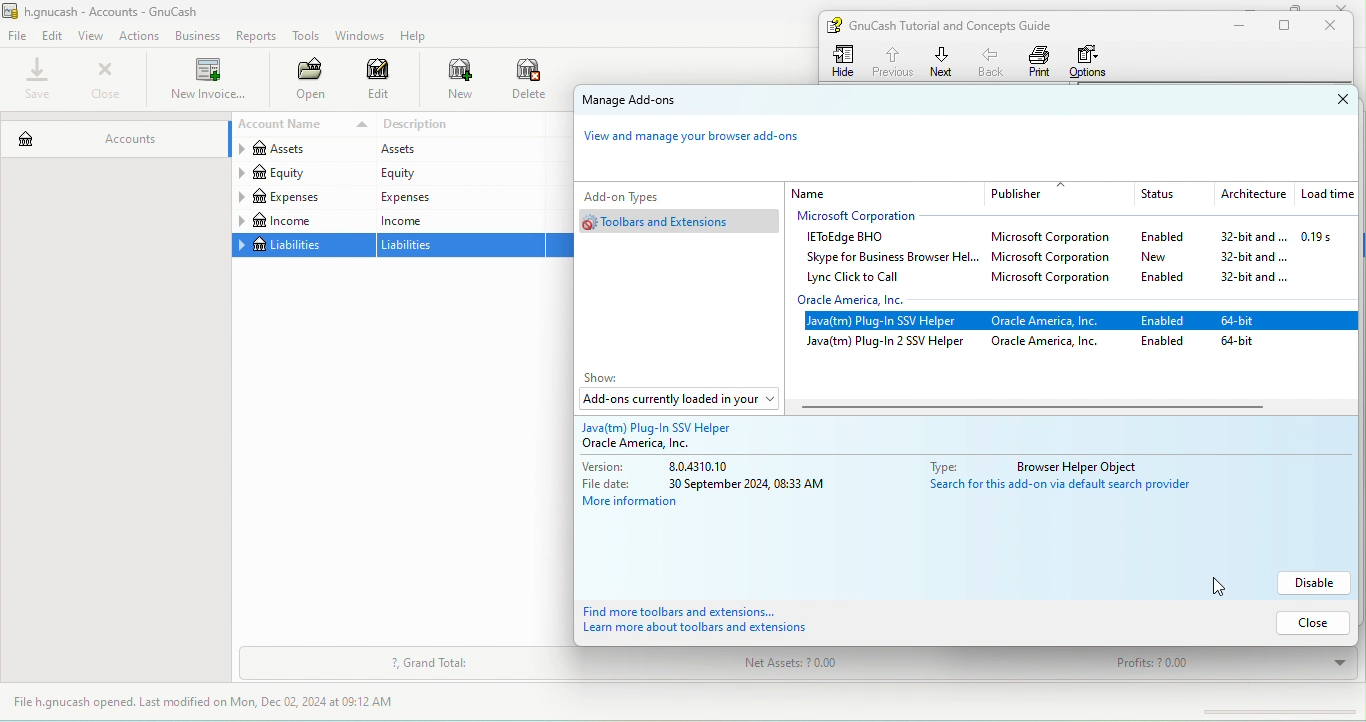 The image size is (1366, 722). Describe the element at coordinates (654, 195) in the screenshot. I see `add on types` at that location.